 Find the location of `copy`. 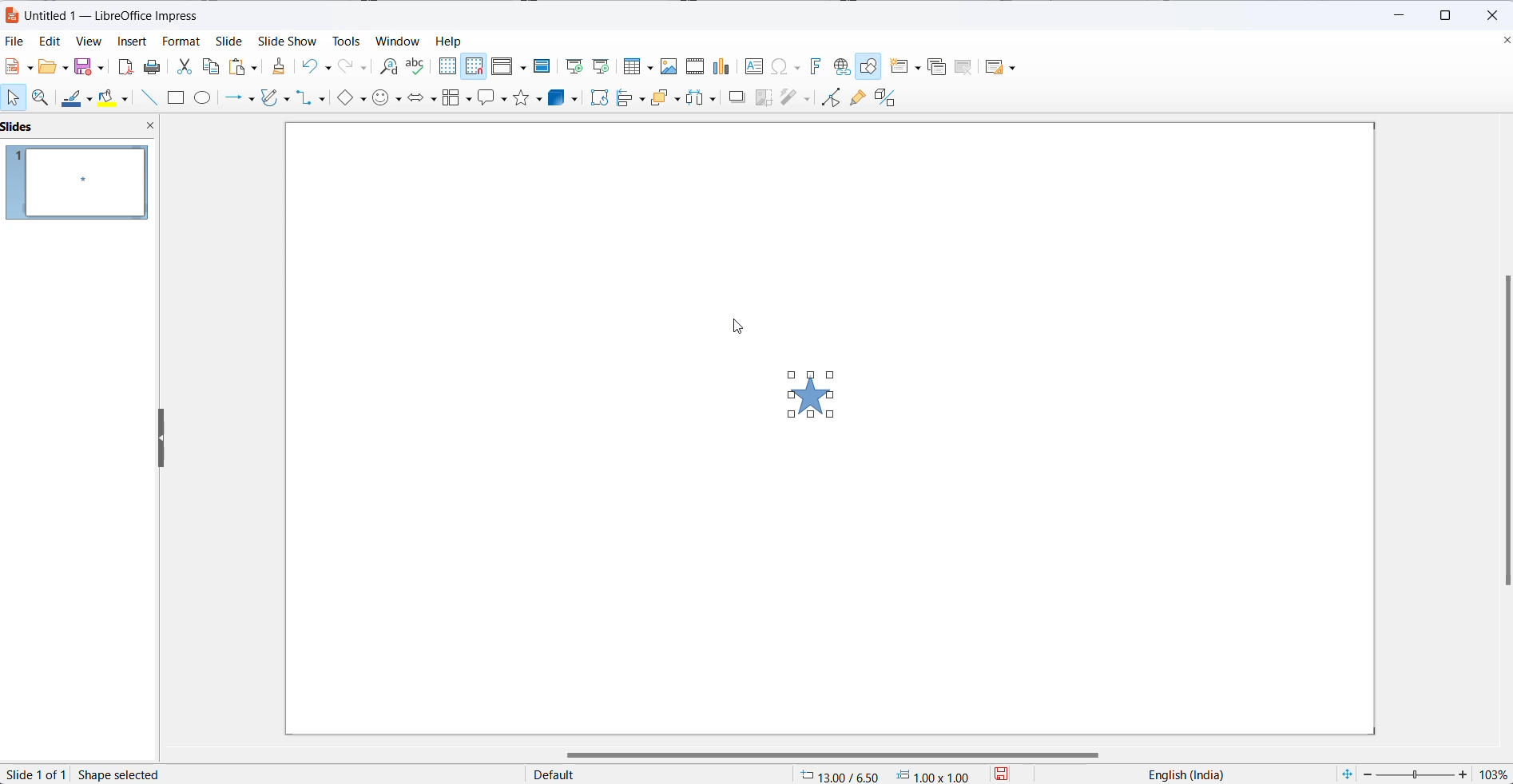

copy is located at coordinates (212, 69).